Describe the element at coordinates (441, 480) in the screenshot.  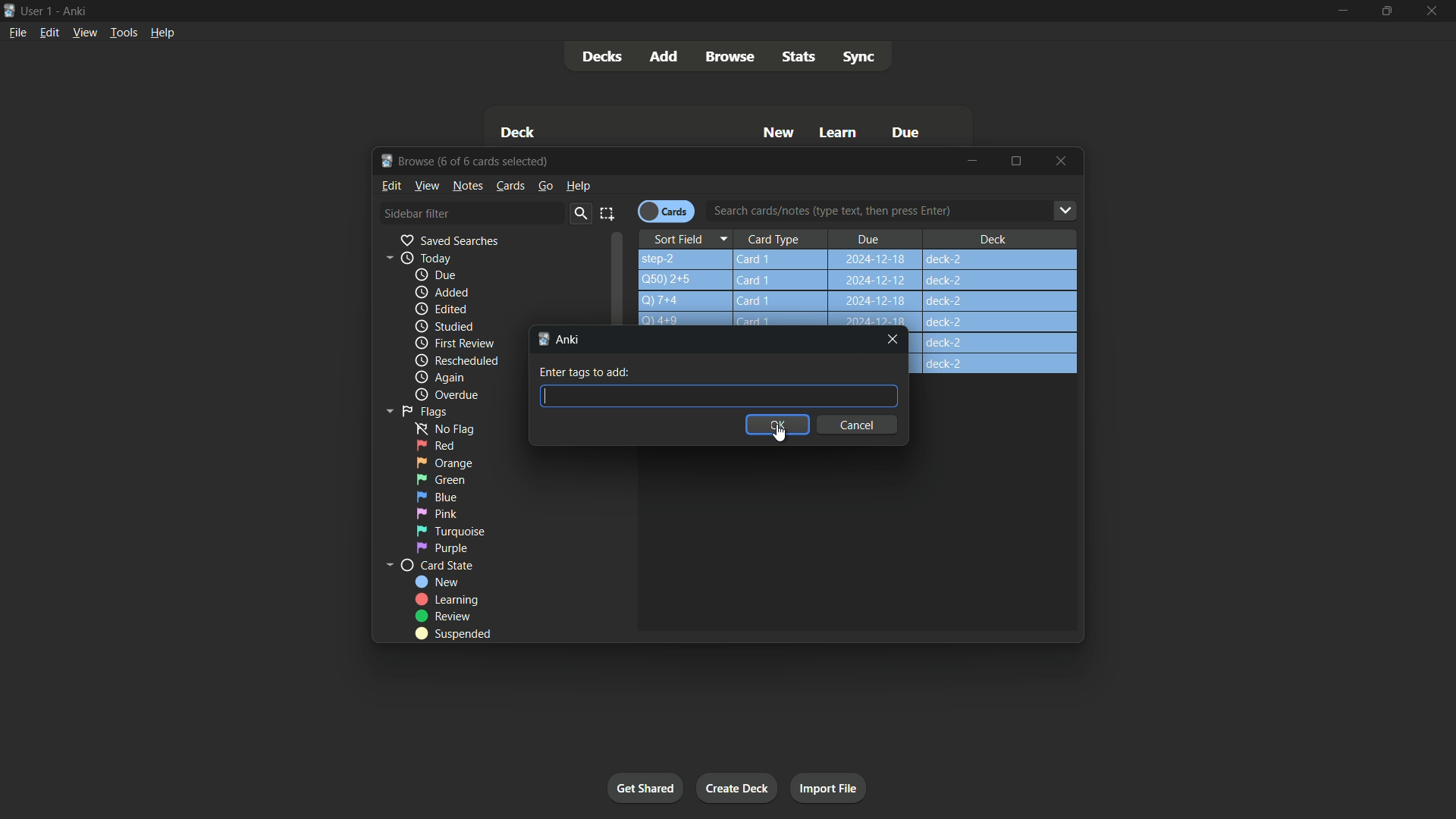
I see `green` at that location.